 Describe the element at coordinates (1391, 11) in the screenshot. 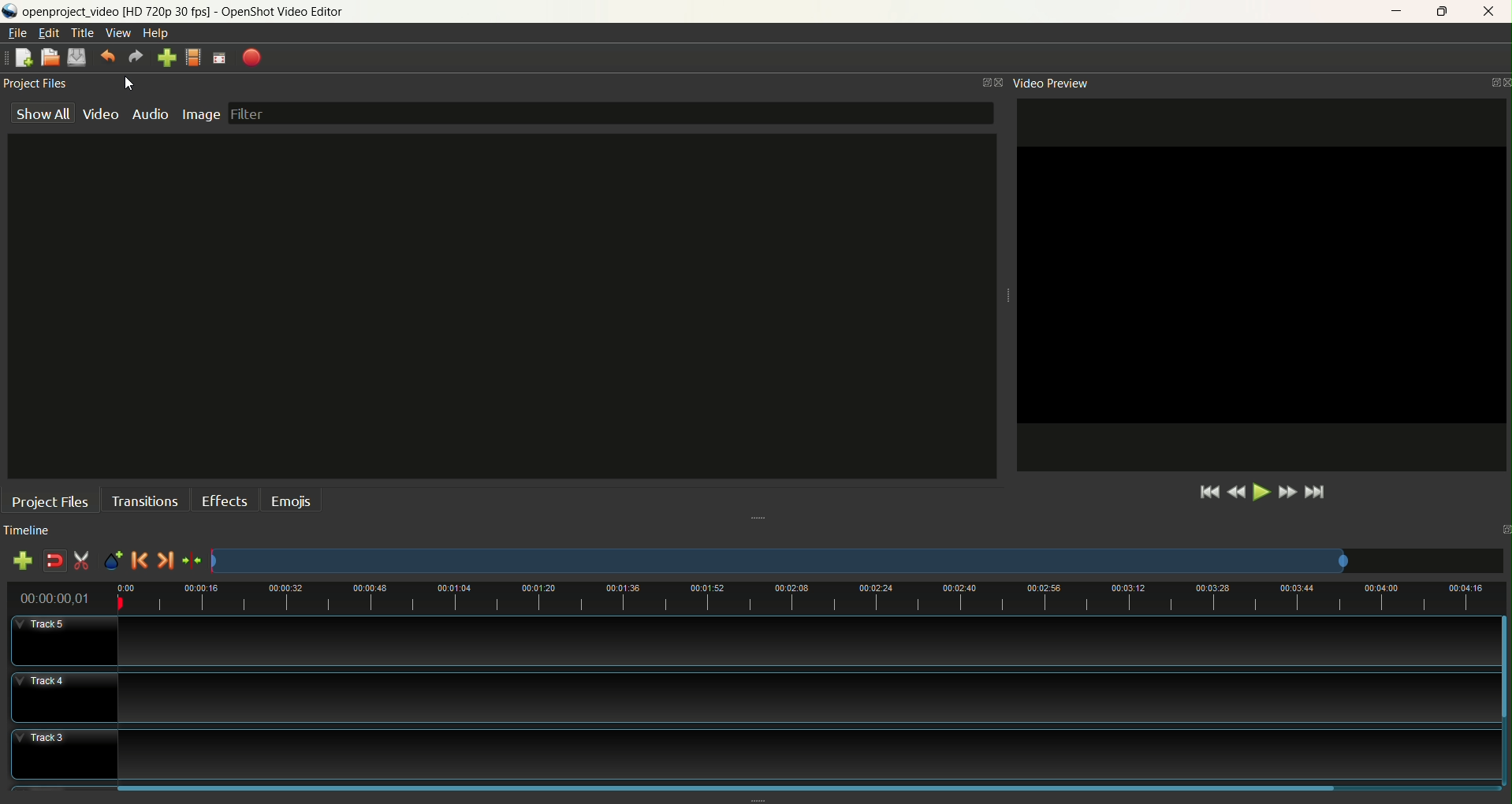

I see `minimize` at that location.